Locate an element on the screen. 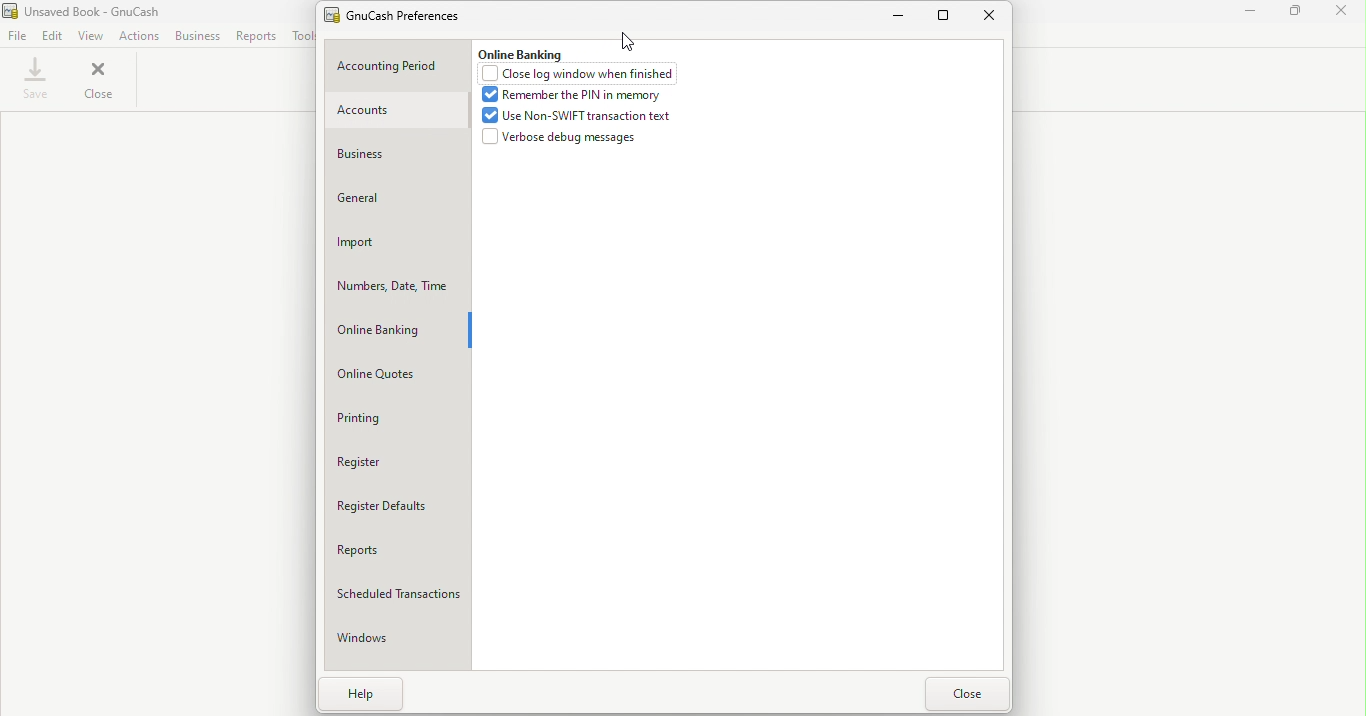  Close is located at coordinates (993, 17).